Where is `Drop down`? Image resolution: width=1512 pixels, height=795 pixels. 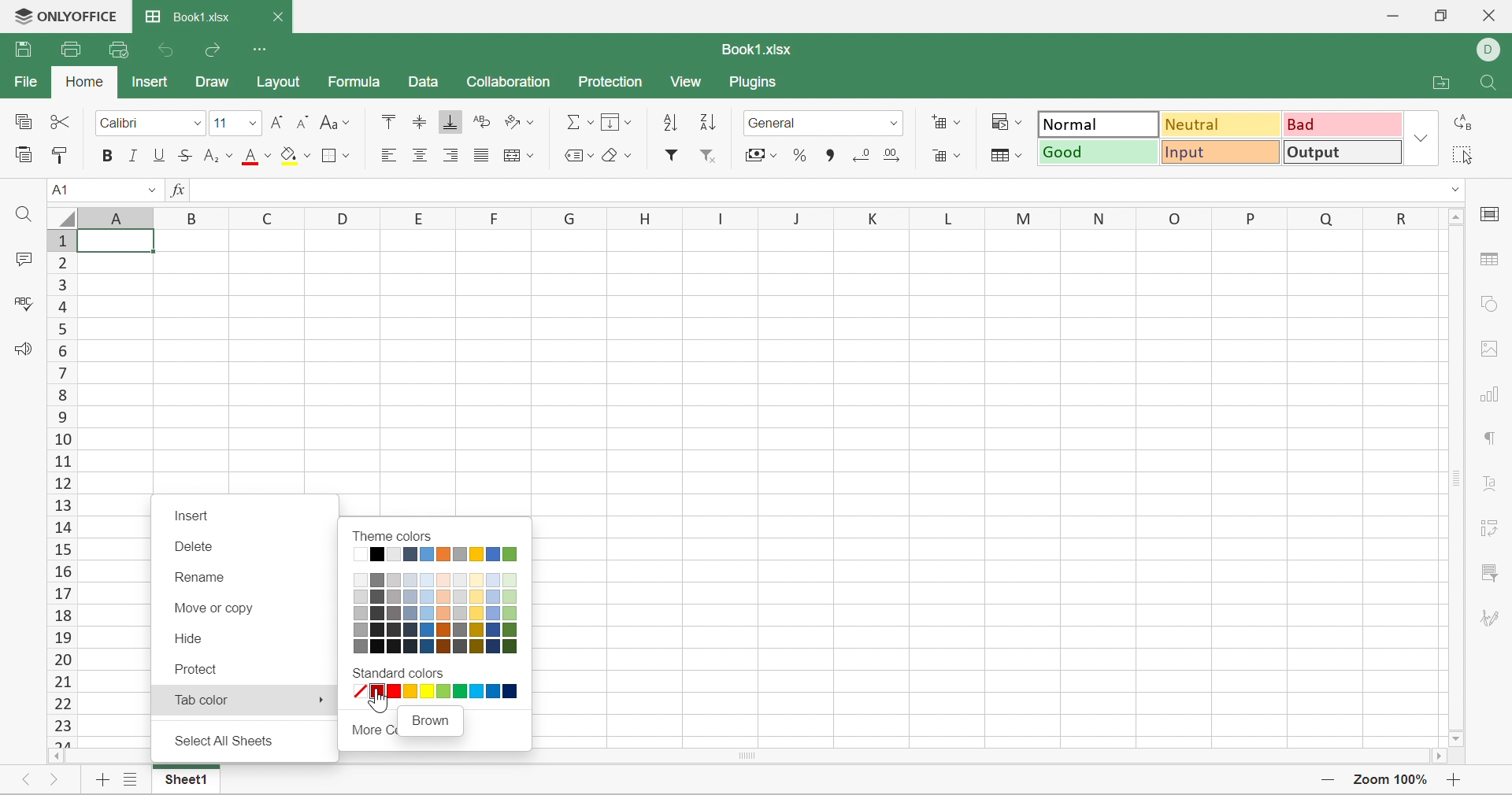 Drop down is located at coordinates (1421, 138).